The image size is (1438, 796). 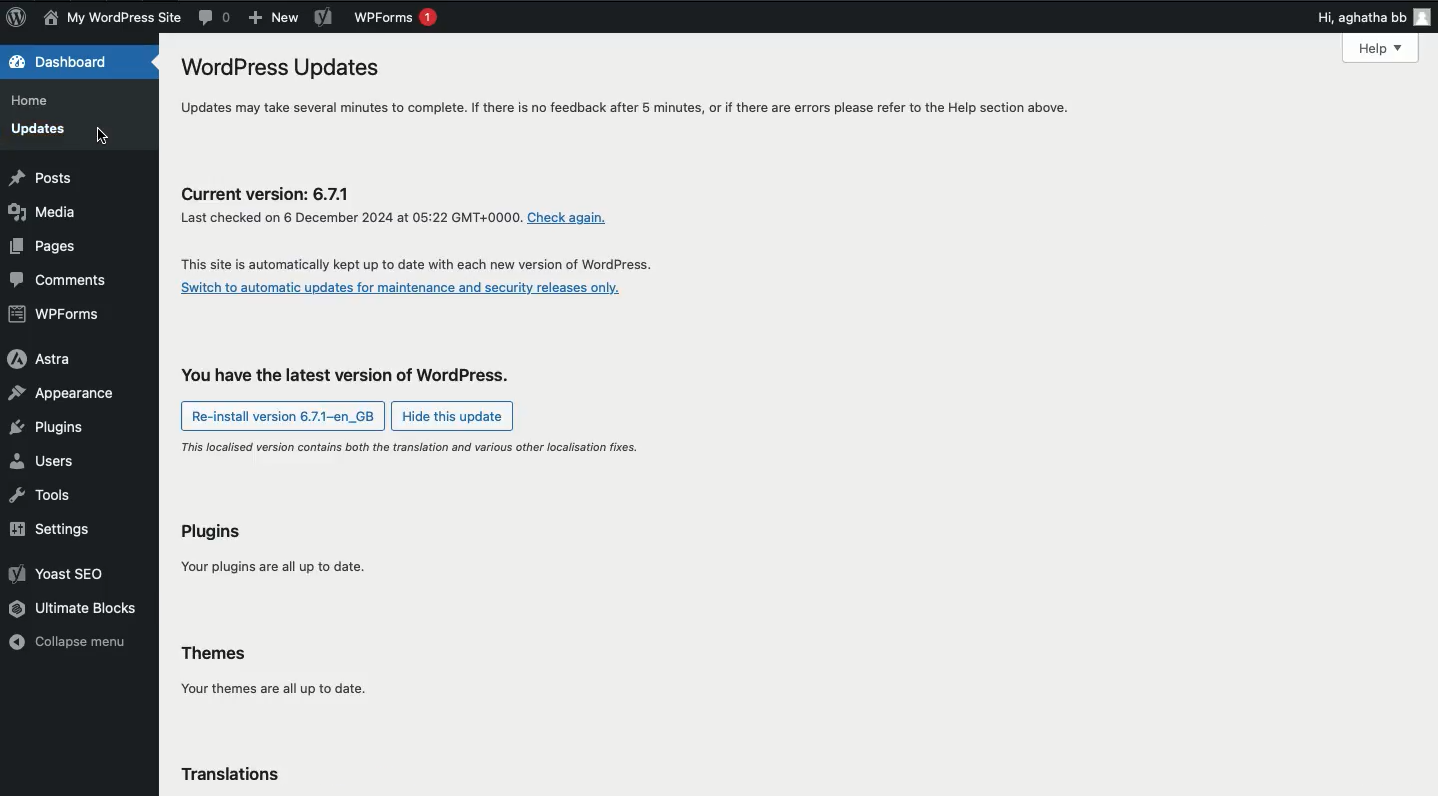 I want to click on You have the latest version of WordPress, so click(x=357, y=378).